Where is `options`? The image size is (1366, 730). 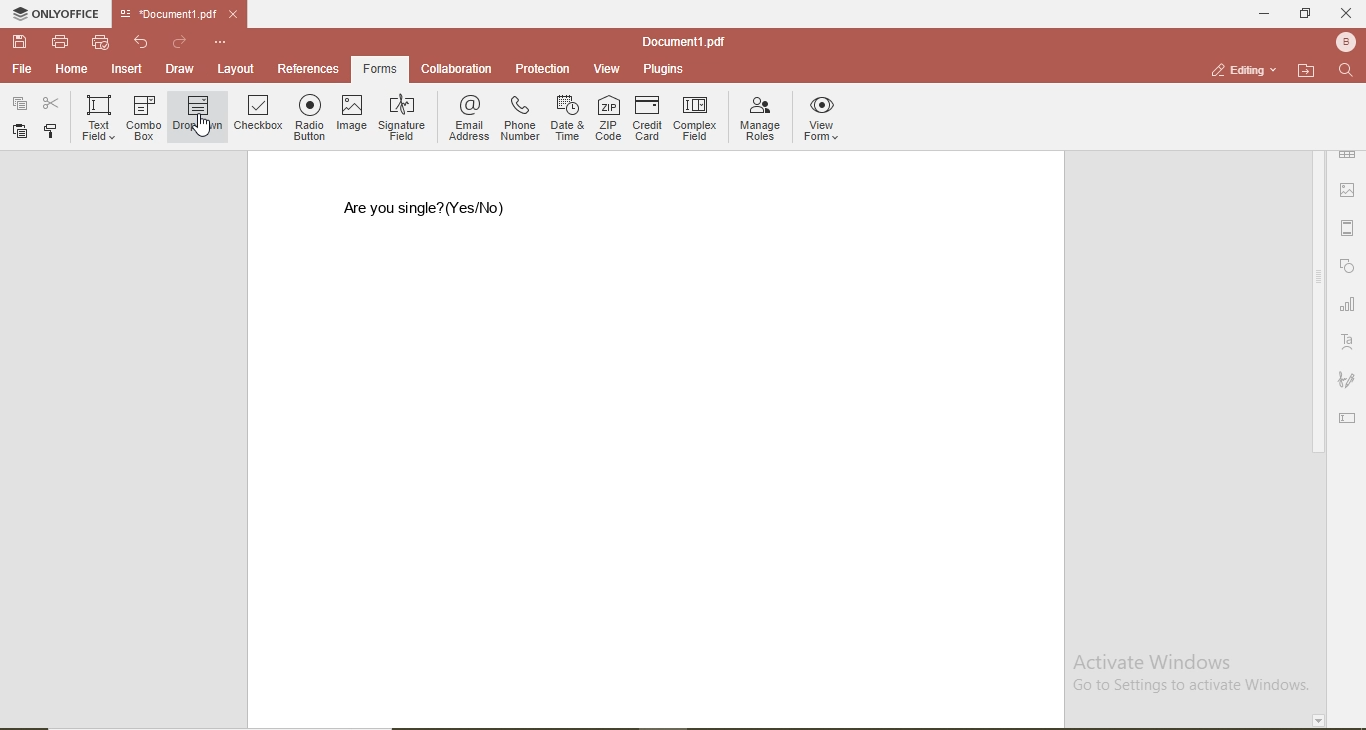
options is located at coordinates (221, 43).